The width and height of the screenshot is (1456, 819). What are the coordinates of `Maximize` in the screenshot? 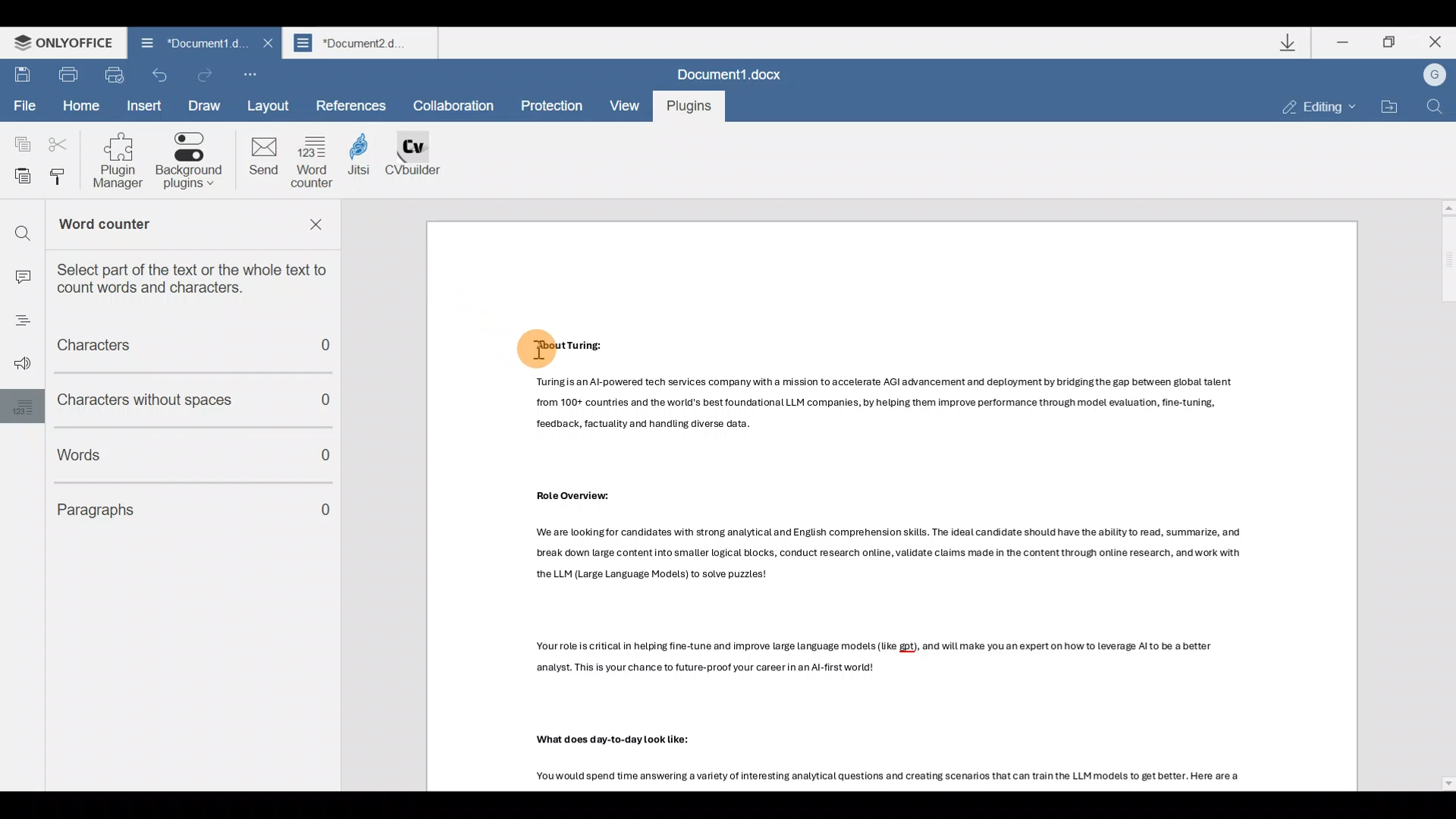 It's located at (1391, 47).